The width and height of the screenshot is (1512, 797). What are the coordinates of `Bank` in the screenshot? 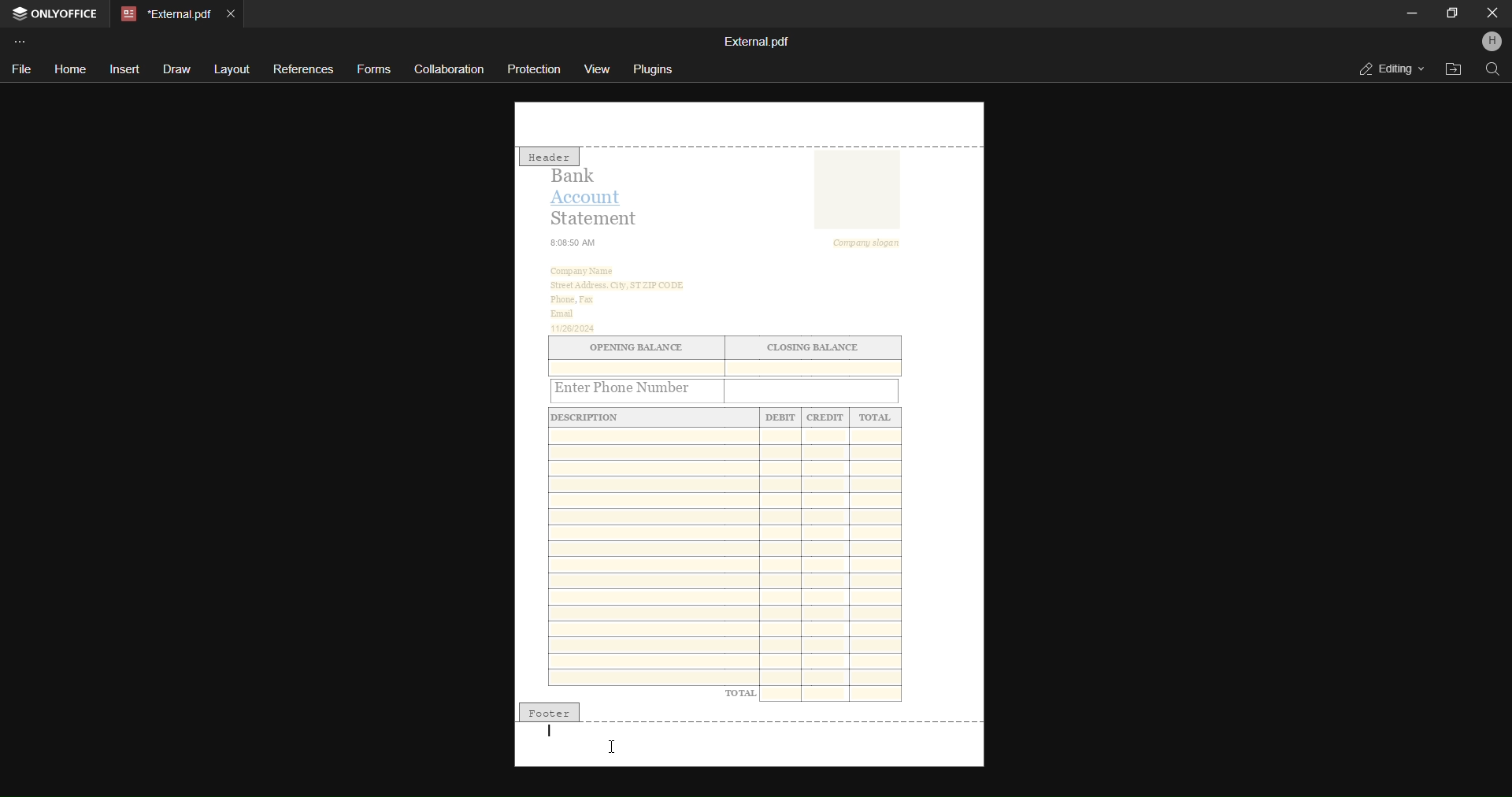 It's located at (580, 176).